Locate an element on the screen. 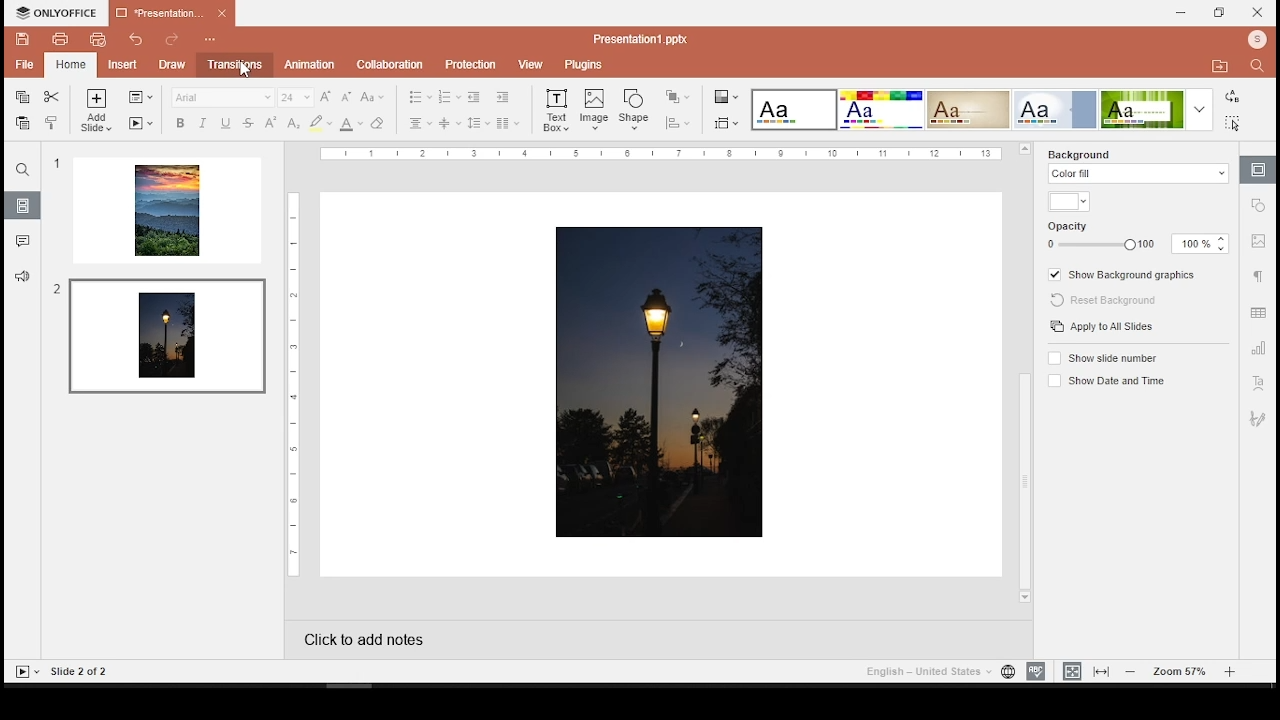 This screenshot has width=1280, height=720. english - united states is located at coordinates (925, 674).